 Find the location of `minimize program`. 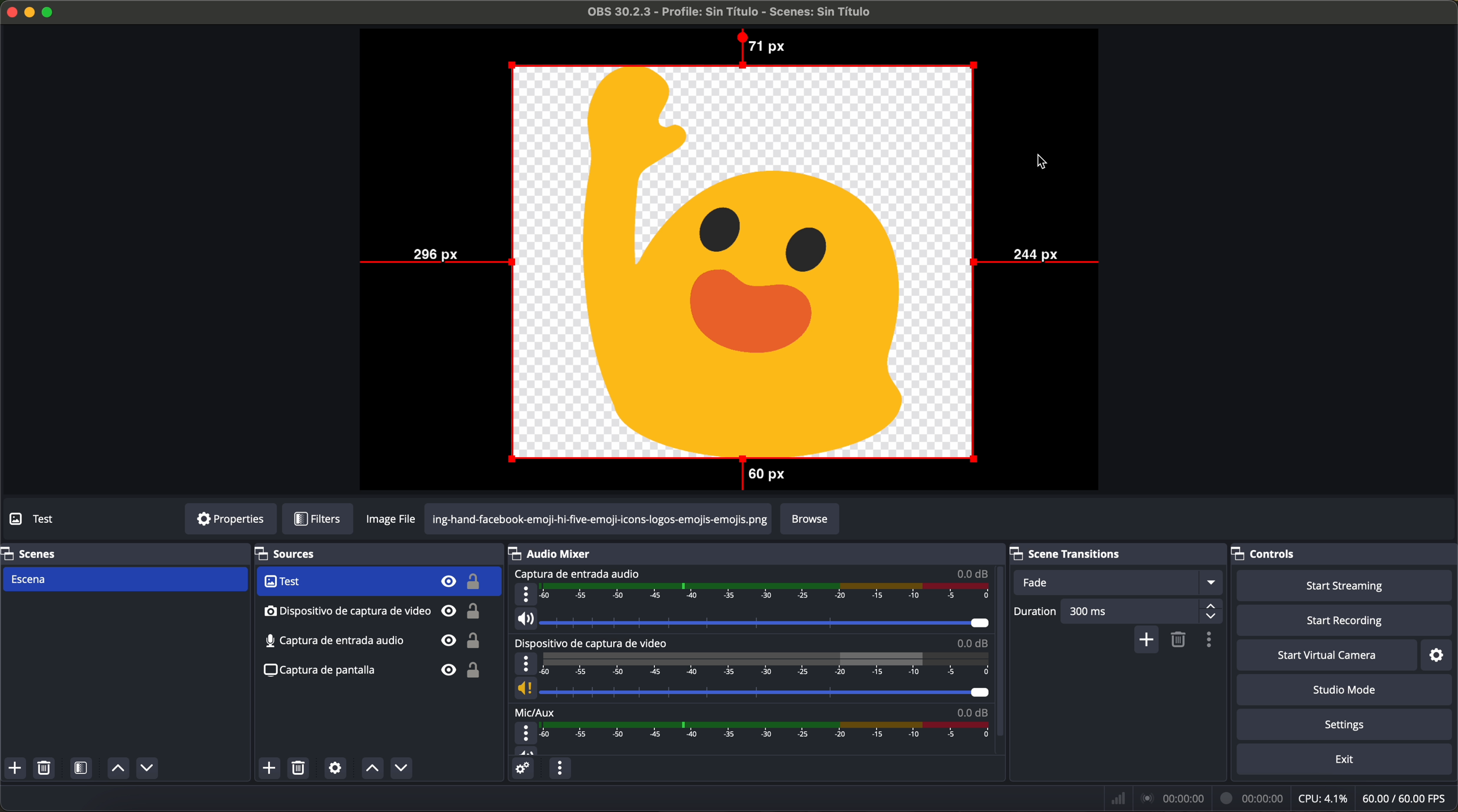

minimize program is located at coordinates (30, 12).